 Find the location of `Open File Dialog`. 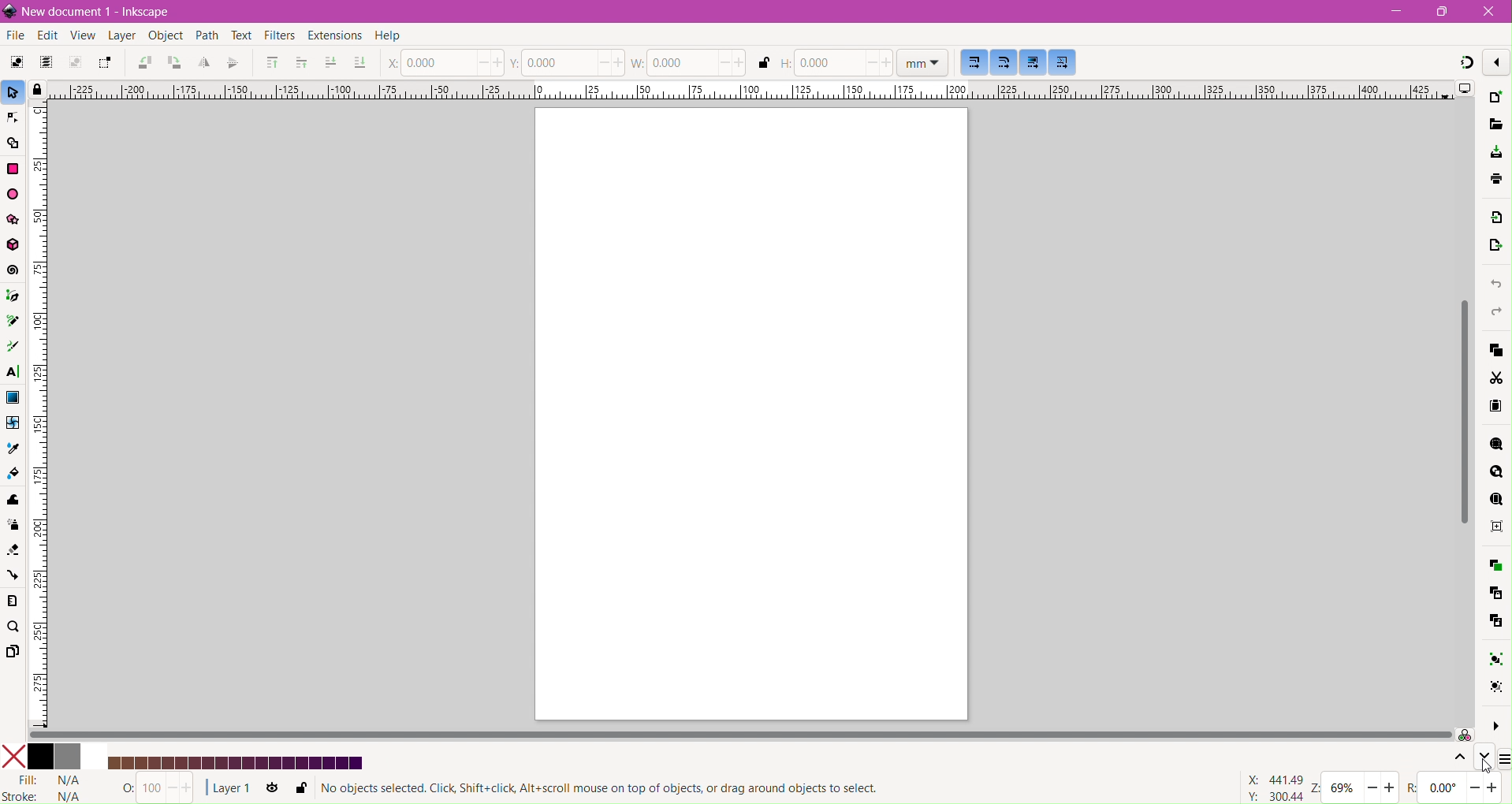

Open File Dialog is located at coordinates (1495, 125).